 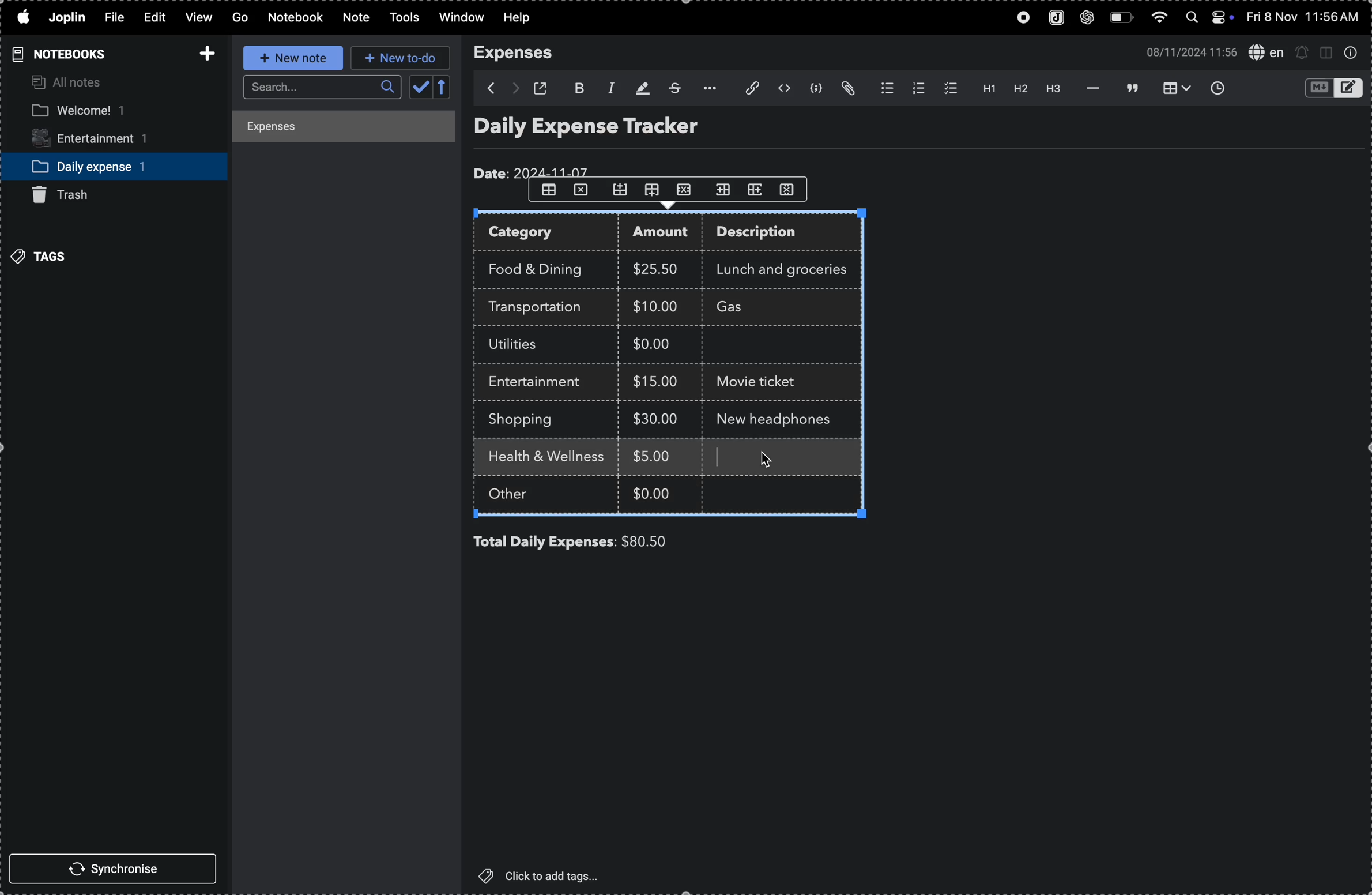 What do you see at coordinates (751, 308) in the screenshot?
I see `Gas` at bounding box center [751, 308].